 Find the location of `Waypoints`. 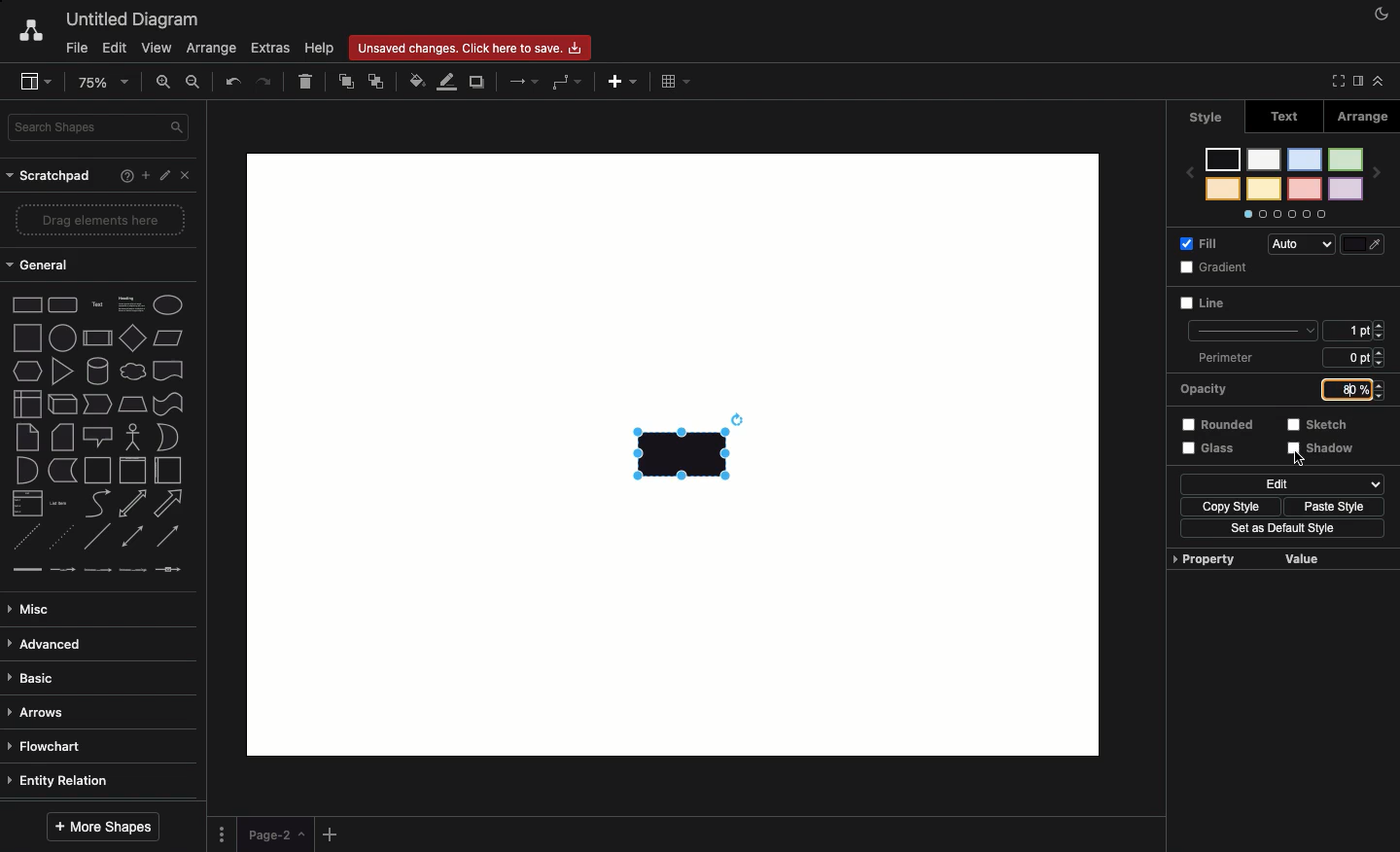

Waypoints is located at coordinates (565, 83).